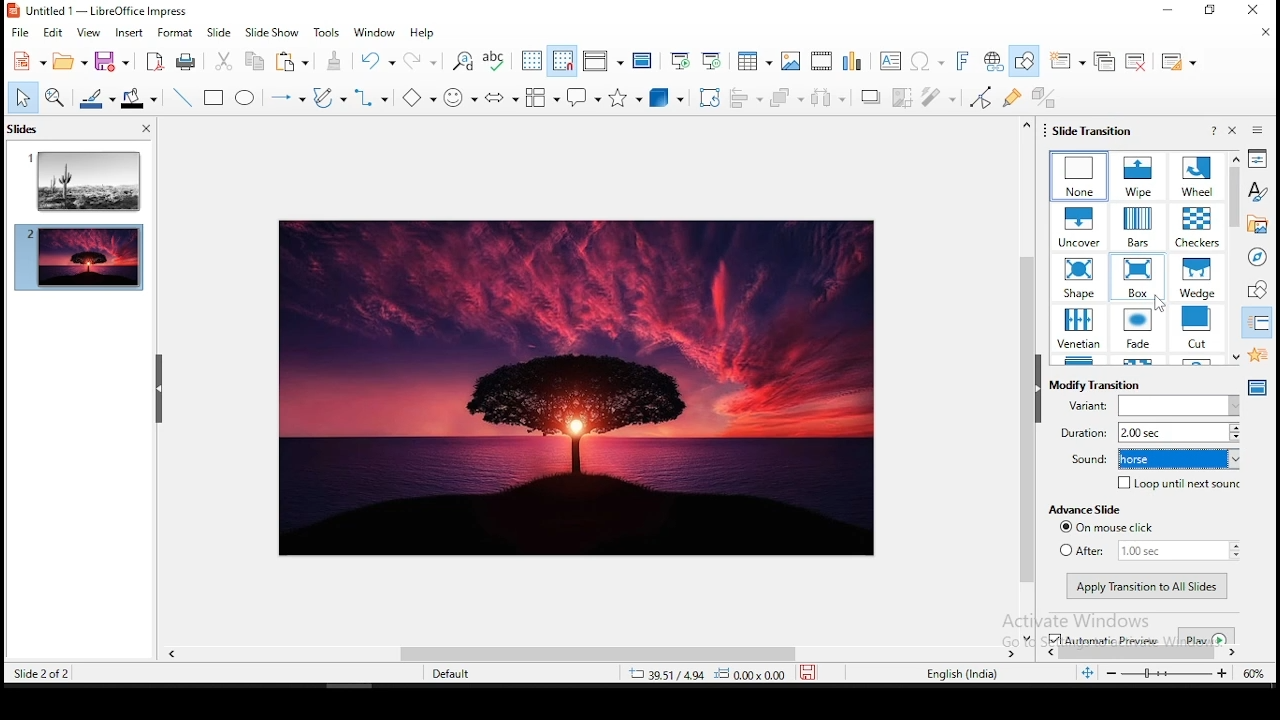 The width and height of the screenshot is (1280, 720). What do you see at coordinates (1179, 60) in the screenshot?
I see `slide layout` at bounding box center [1179, 60].